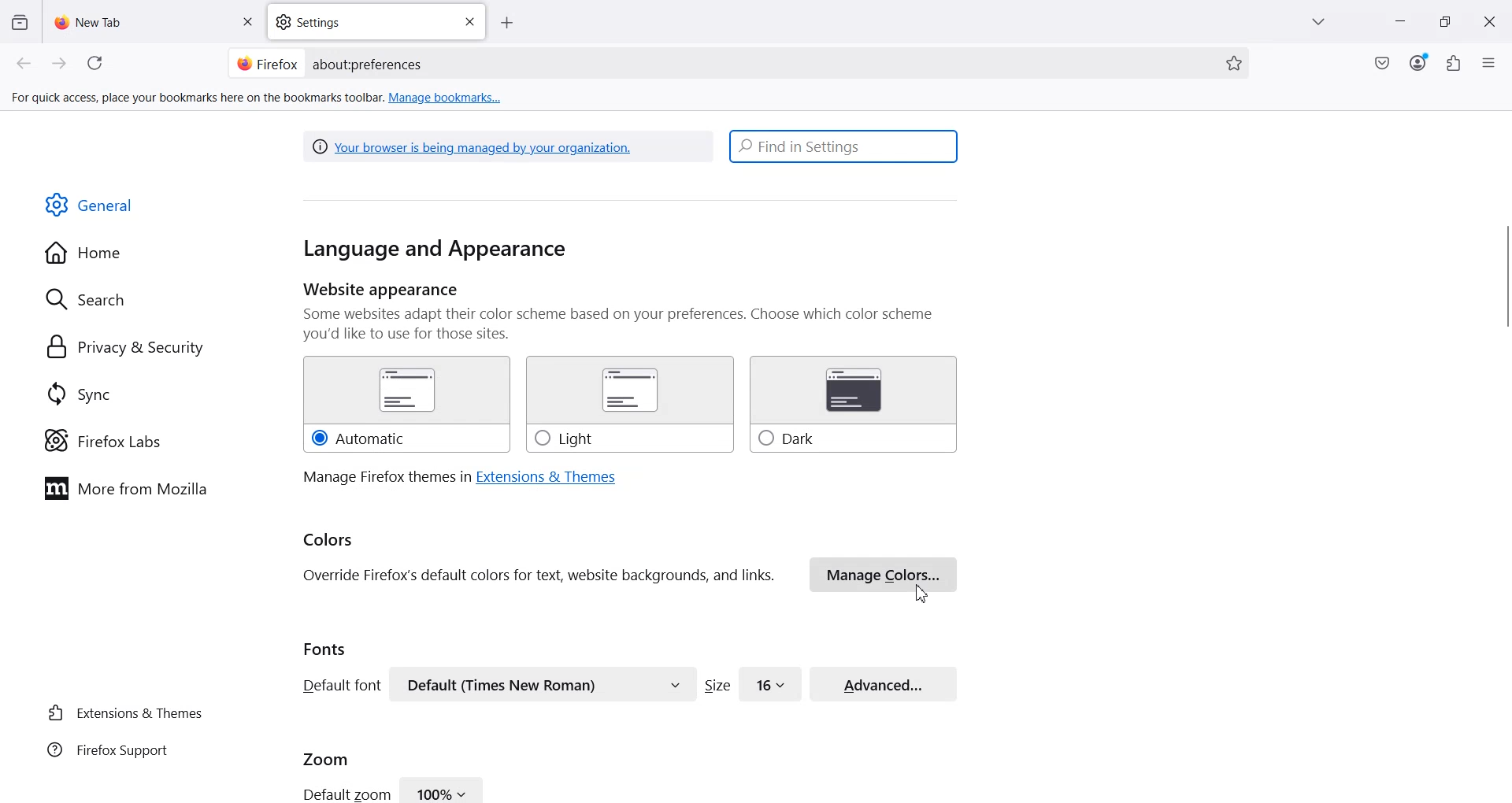 This screenshot has height=803, width=1512. What do you see at coordinates (258, 98) in the screenshot?
I see `For quick access, place your bookmarks here on the bookmarks toolbar. Manage bookmarks...` at bounding box center [258, 98].